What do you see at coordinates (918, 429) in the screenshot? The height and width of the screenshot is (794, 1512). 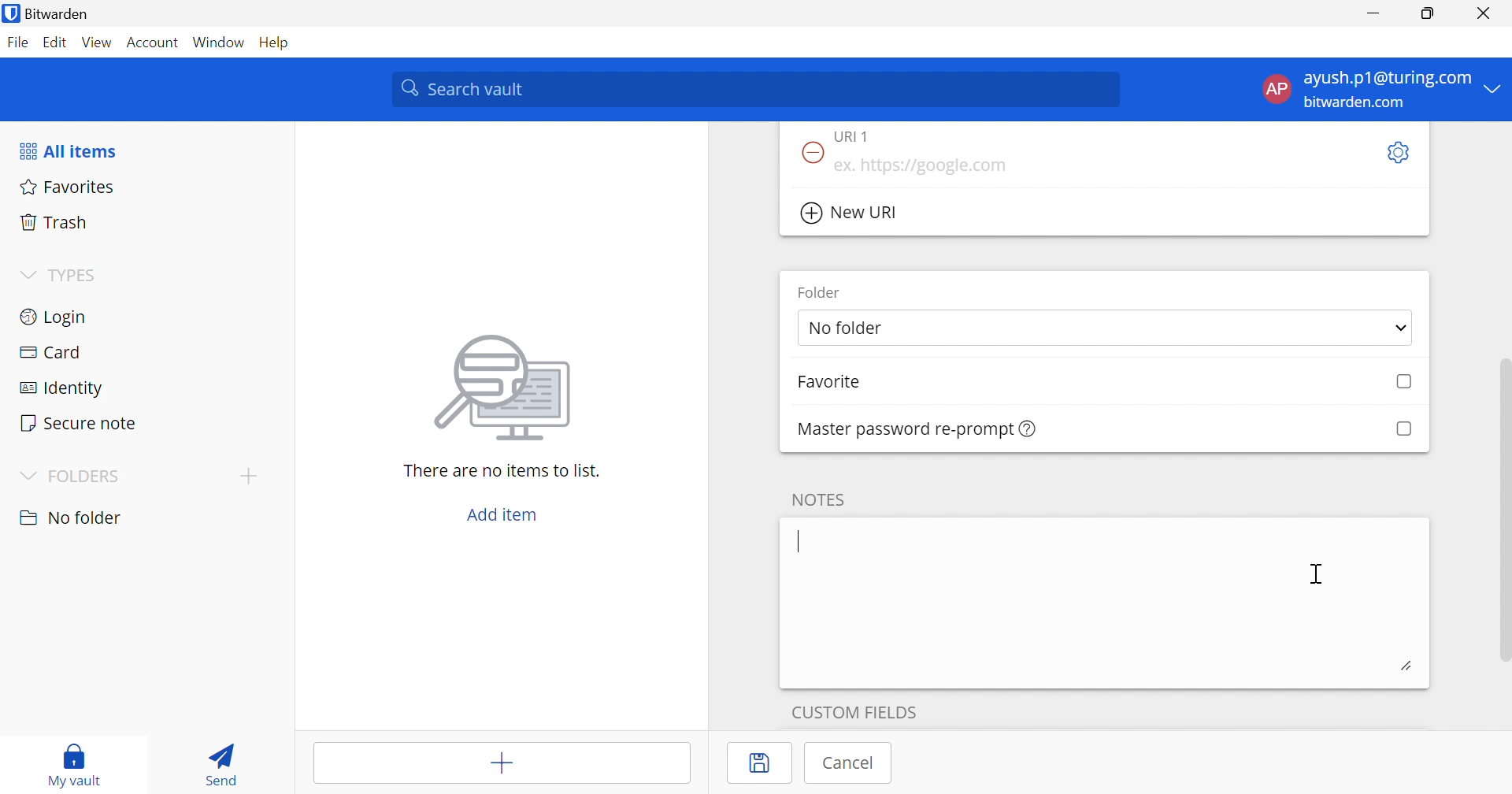 I see `Master password re-prompt` at bounding box center [918, 429].